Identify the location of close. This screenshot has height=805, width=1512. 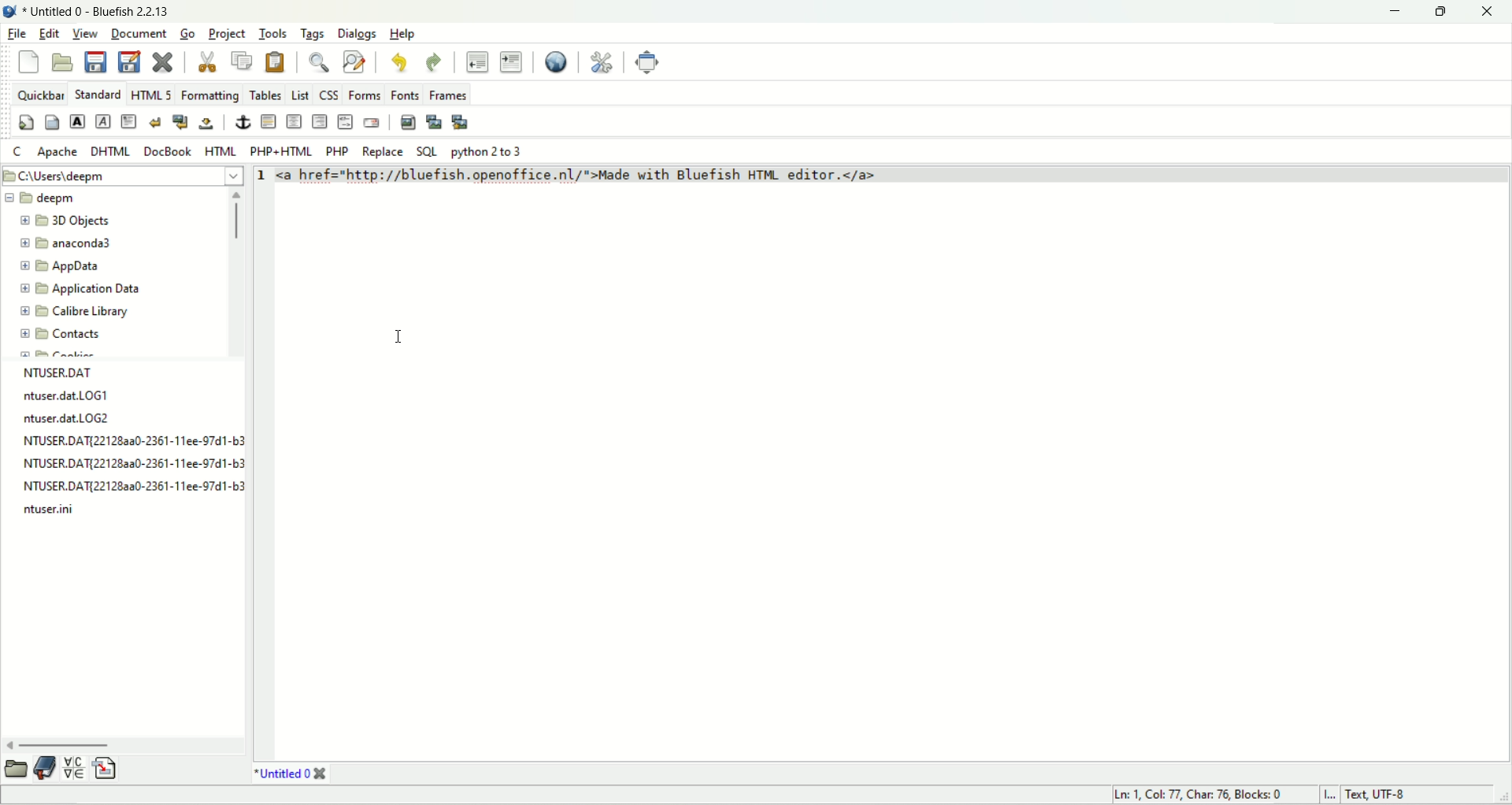
(1488, 12).